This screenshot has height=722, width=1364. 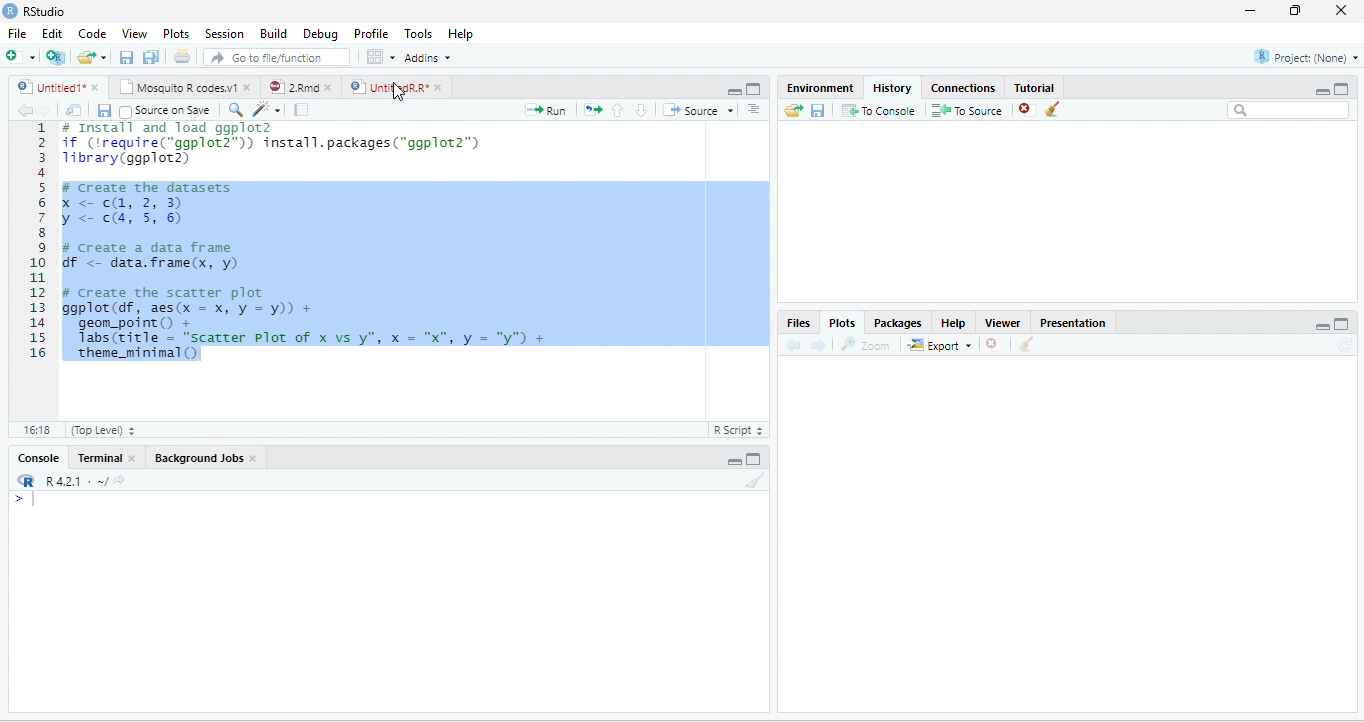 I want to click on Console, so click(x=38, y=458).